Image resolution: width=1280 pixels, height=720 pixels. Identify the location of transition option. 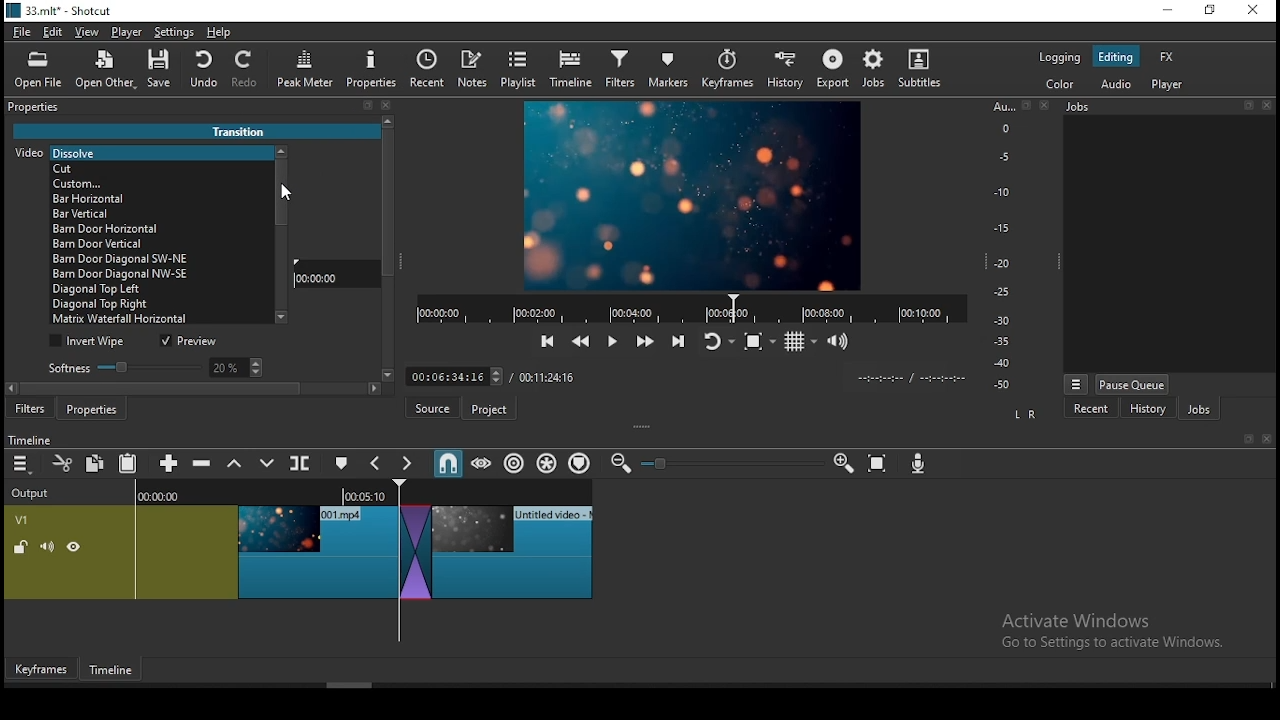
(162, 214).